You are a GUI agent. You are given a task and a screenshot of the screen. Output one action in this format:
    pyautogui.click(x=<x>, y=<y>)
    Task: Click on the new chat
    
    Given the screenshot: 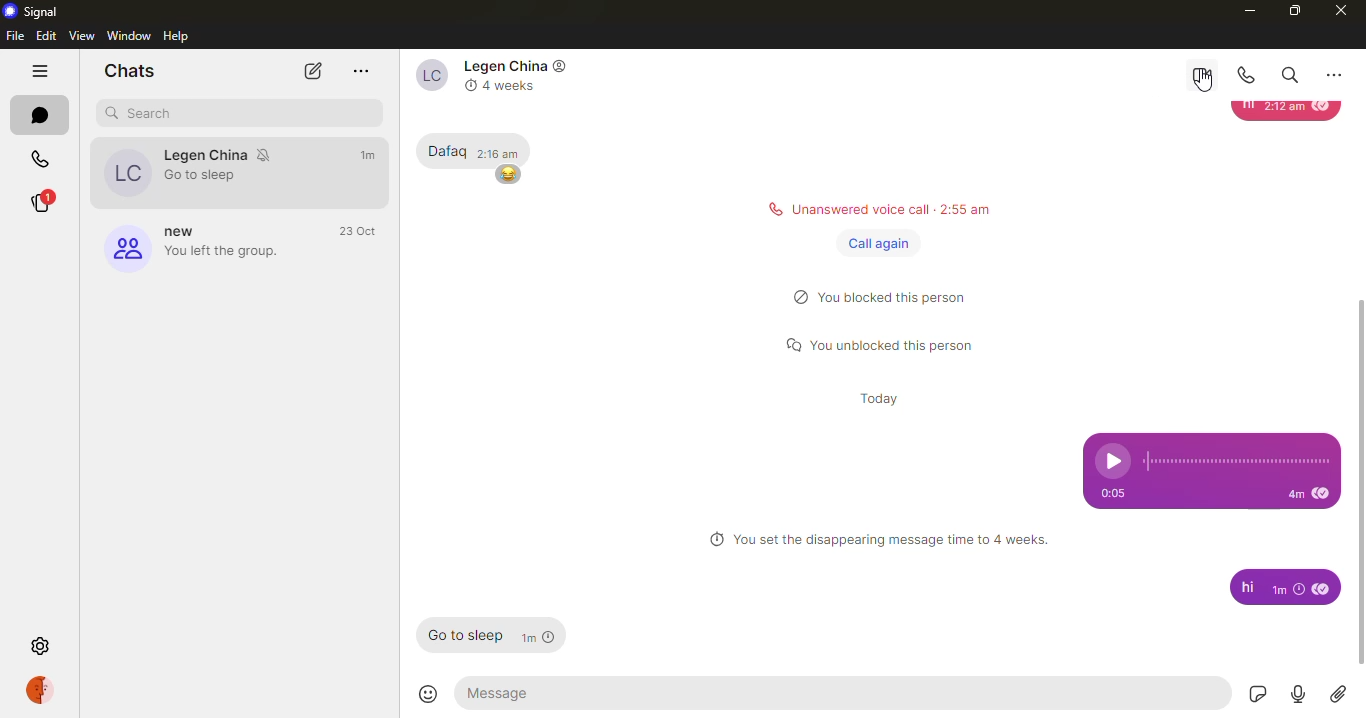 What is the action you would take?
    pyautogui.click(x=311, y=71)
    